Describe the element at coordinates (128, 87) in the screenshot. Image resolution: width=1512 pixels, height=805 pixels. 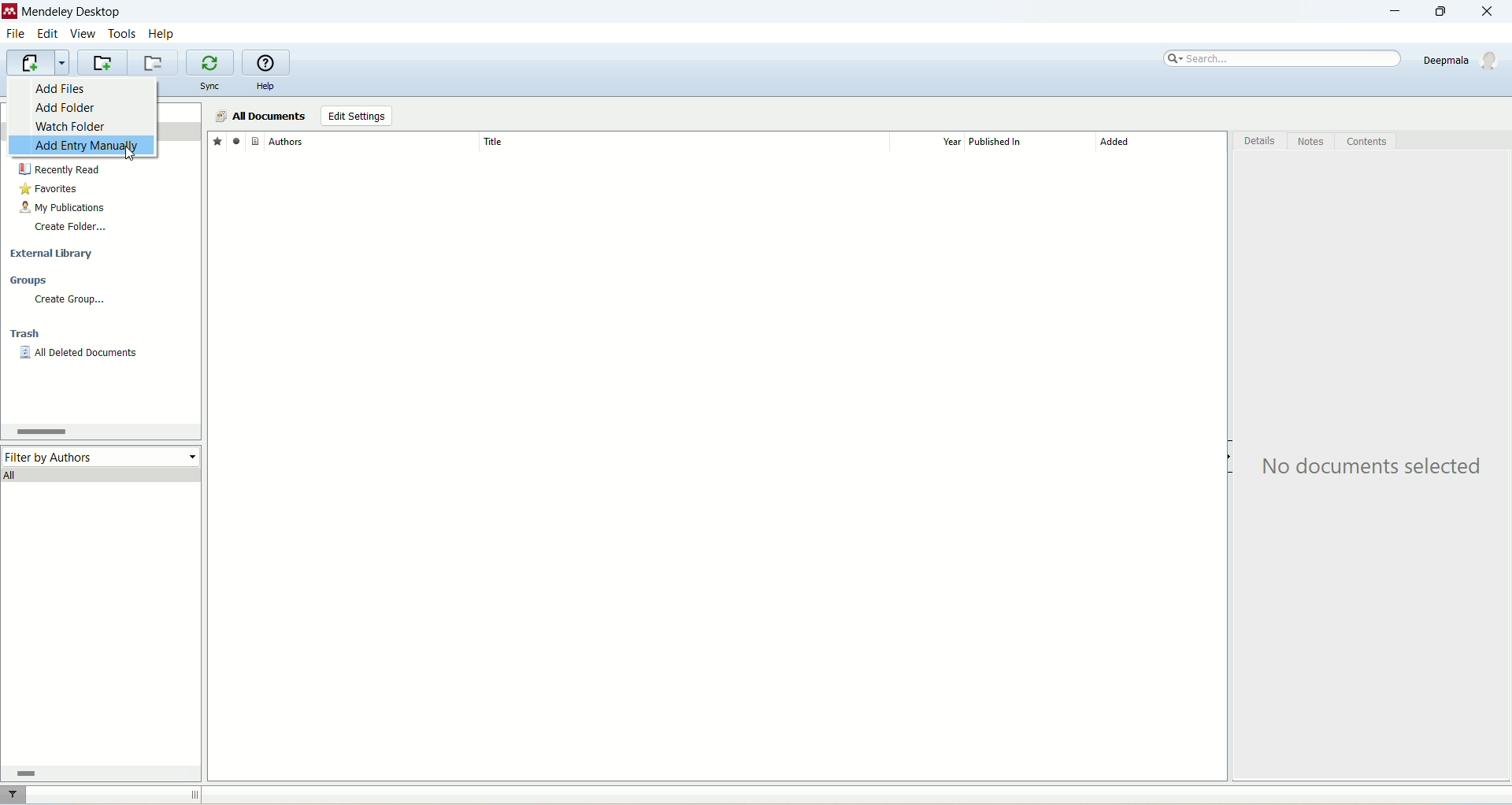
I see `folders` at that location.